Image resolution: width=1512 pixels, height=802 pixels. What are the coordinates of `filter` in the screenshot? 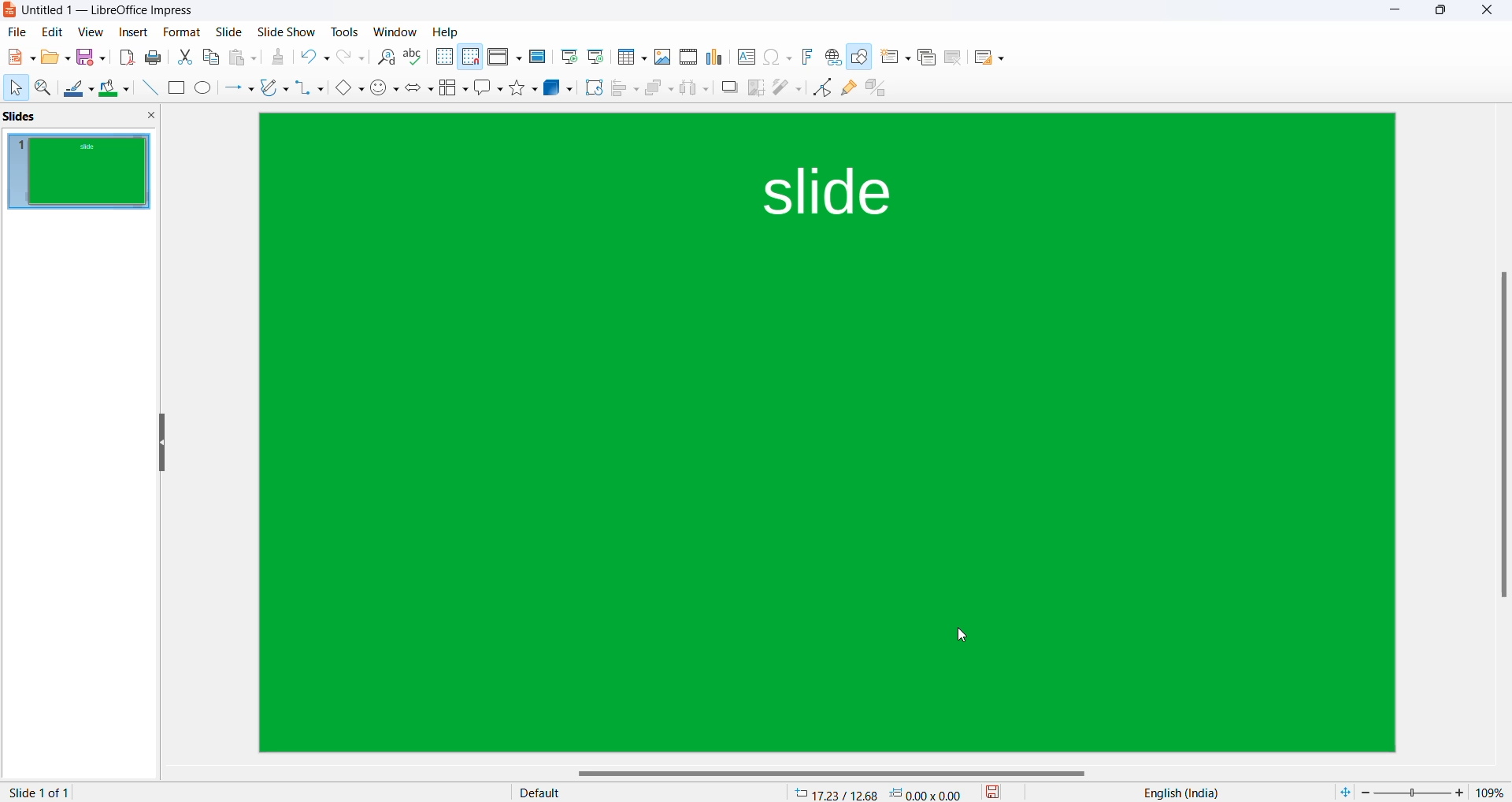 It's located at (787, 86).